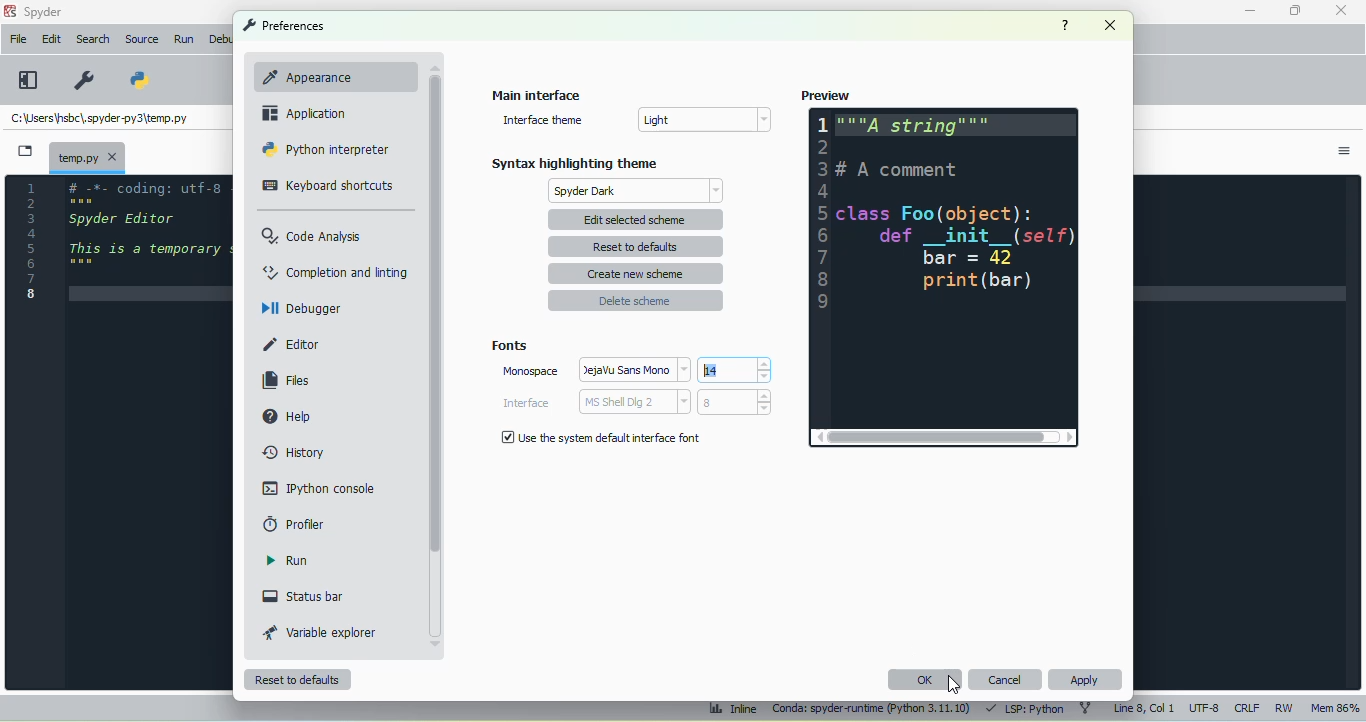 This screenshot has height=722, width=1366. I want to click on debugger, so click(301, 307).